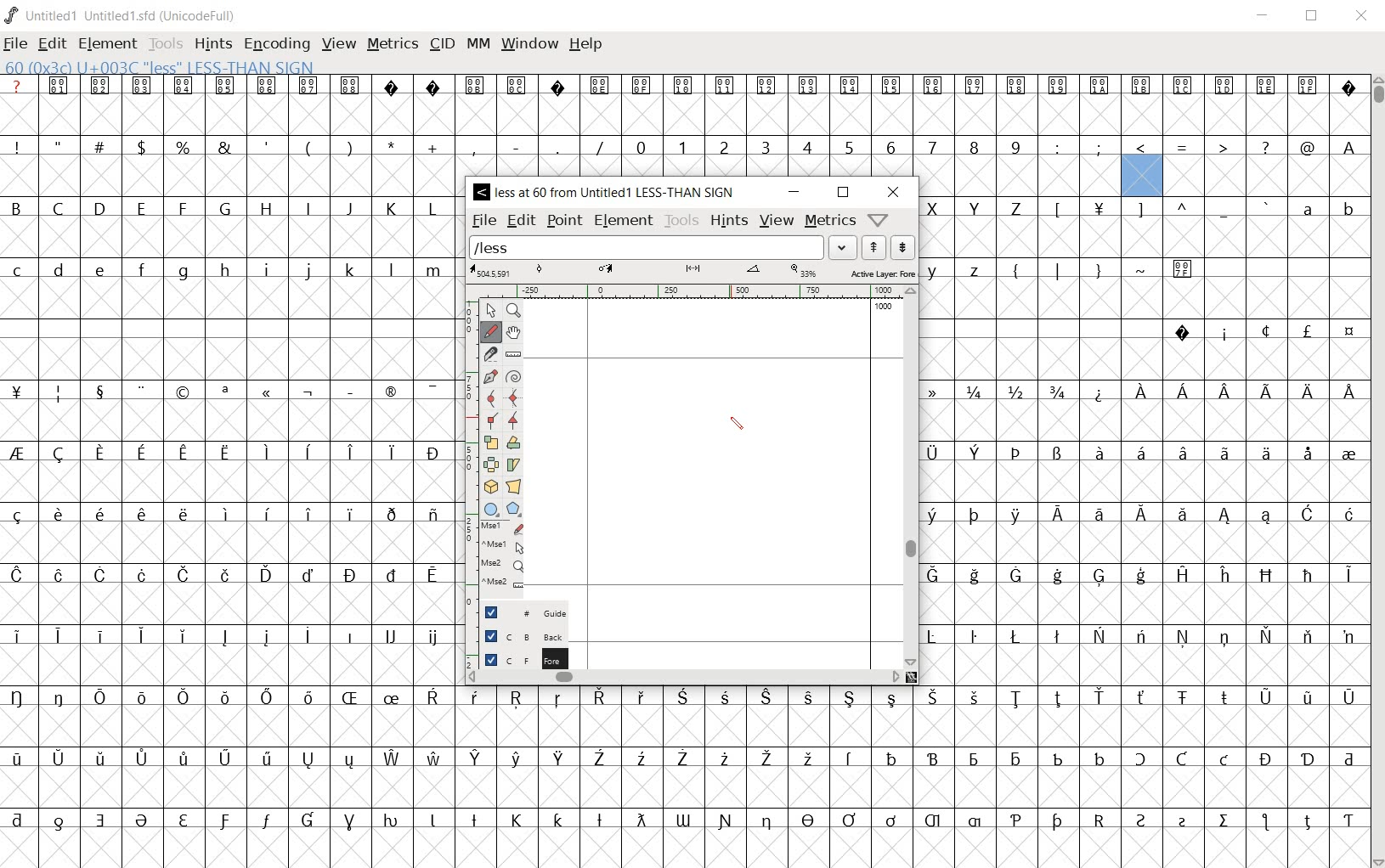 This screenshot has width=1385, height=868. Describe the element at coordinates (491, 331) in the screenshot. I see `draw a freehand curve` at that location.